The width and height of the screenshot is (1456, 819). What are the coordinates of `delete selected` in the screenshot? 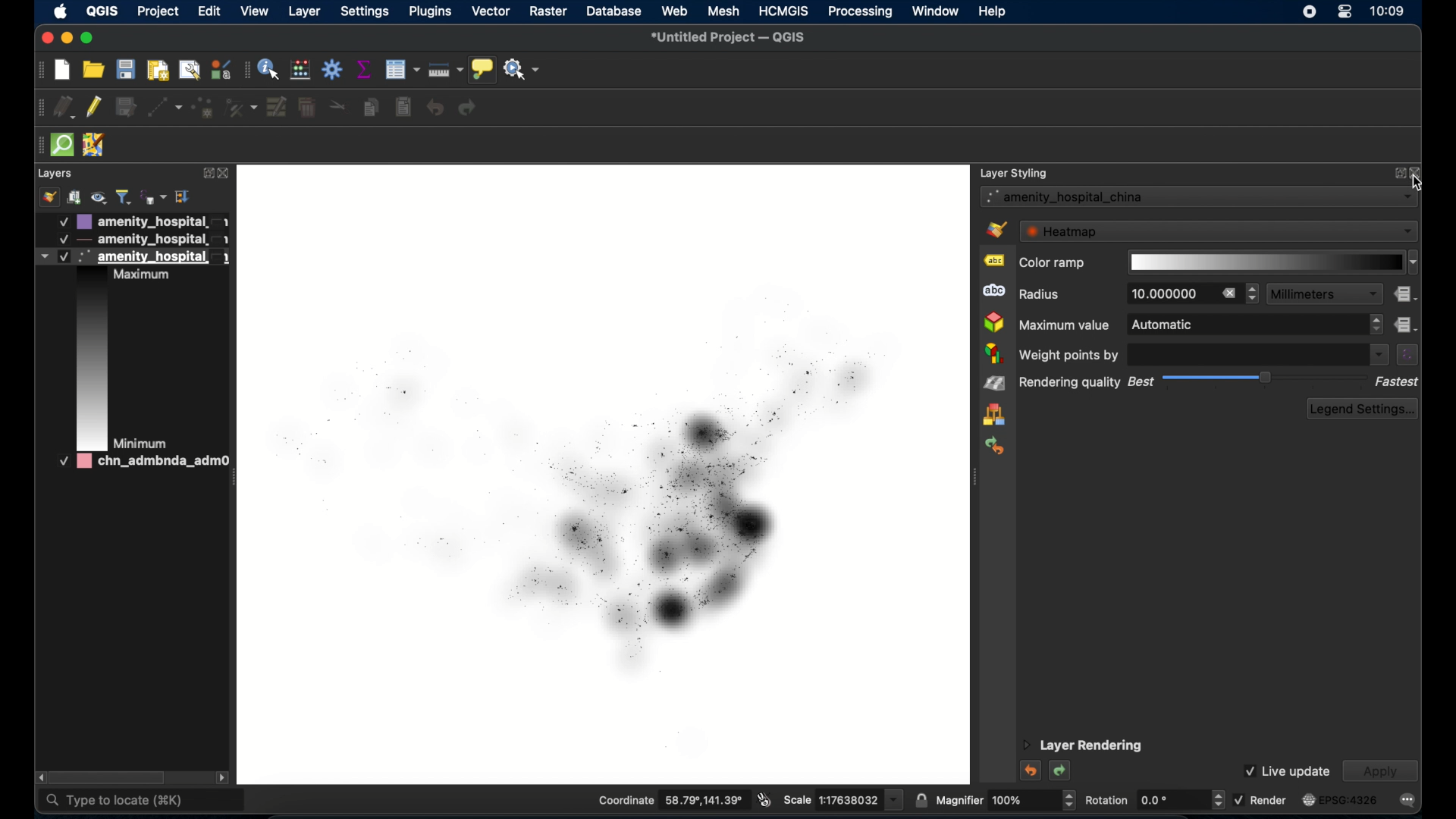 It's located at (307, 108).